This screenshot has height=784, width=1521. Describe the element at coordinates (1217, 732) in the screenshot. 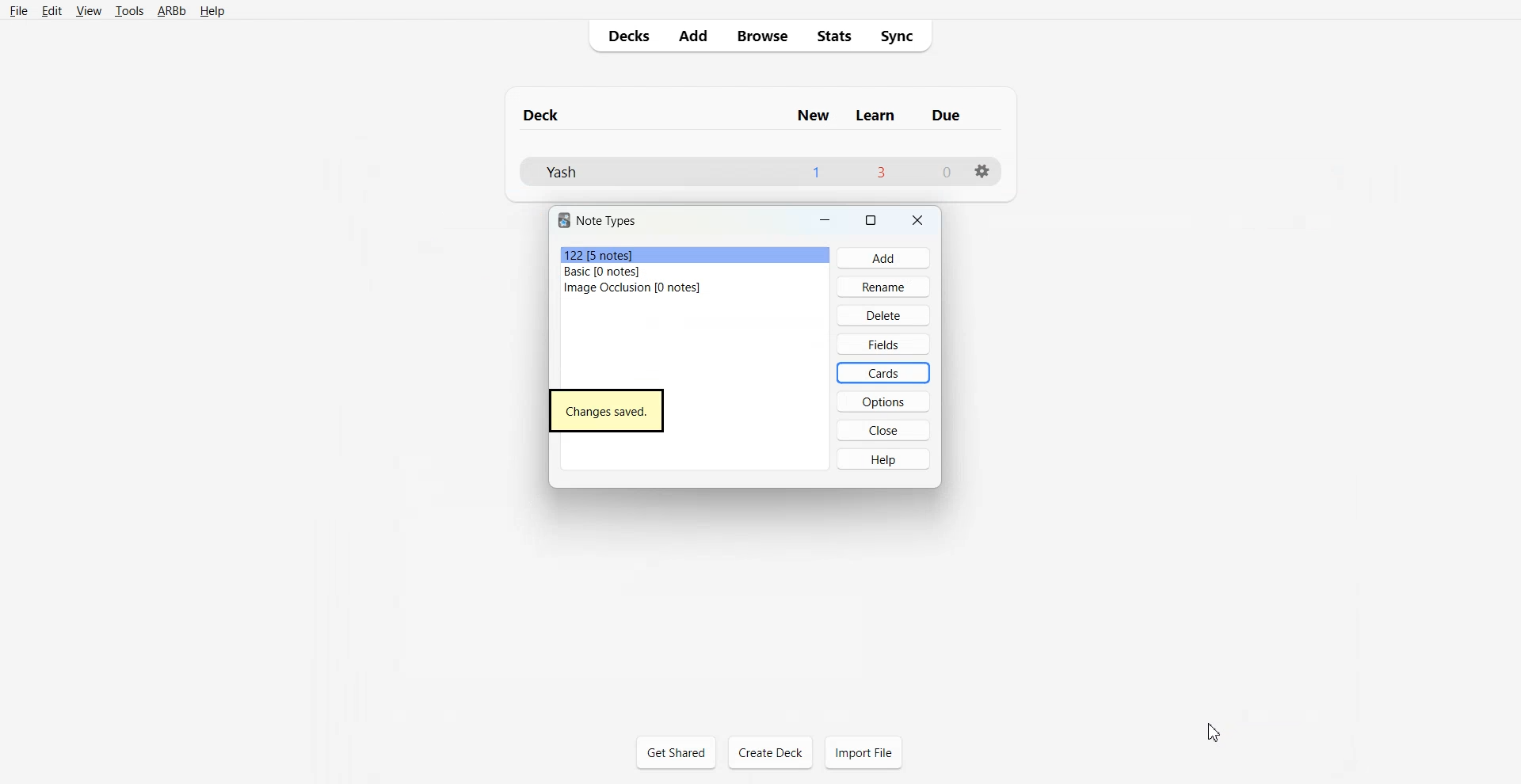

I see `Cursor` at that location.